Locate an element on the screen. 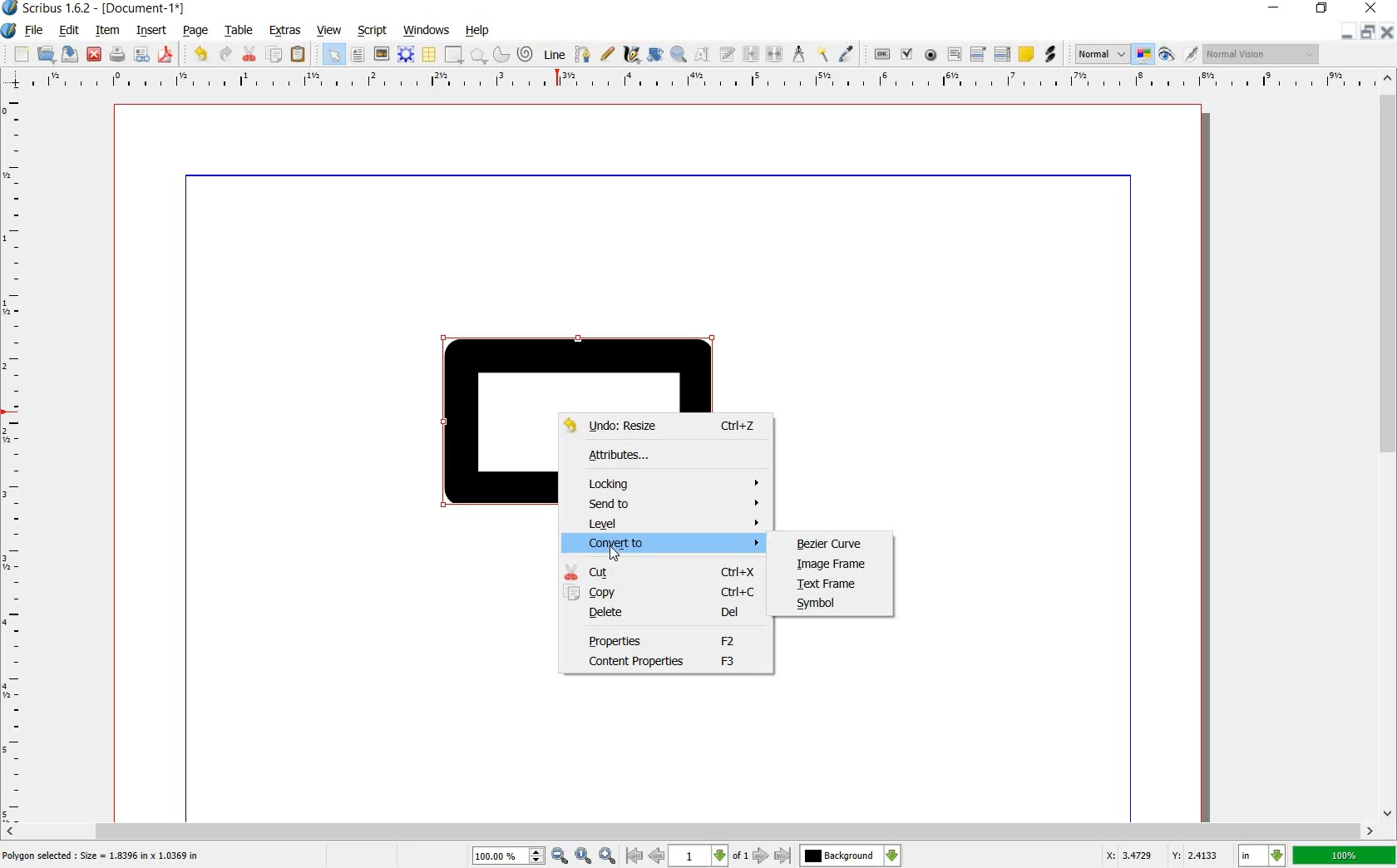  LEVEL is located at coordinates (674, 525).